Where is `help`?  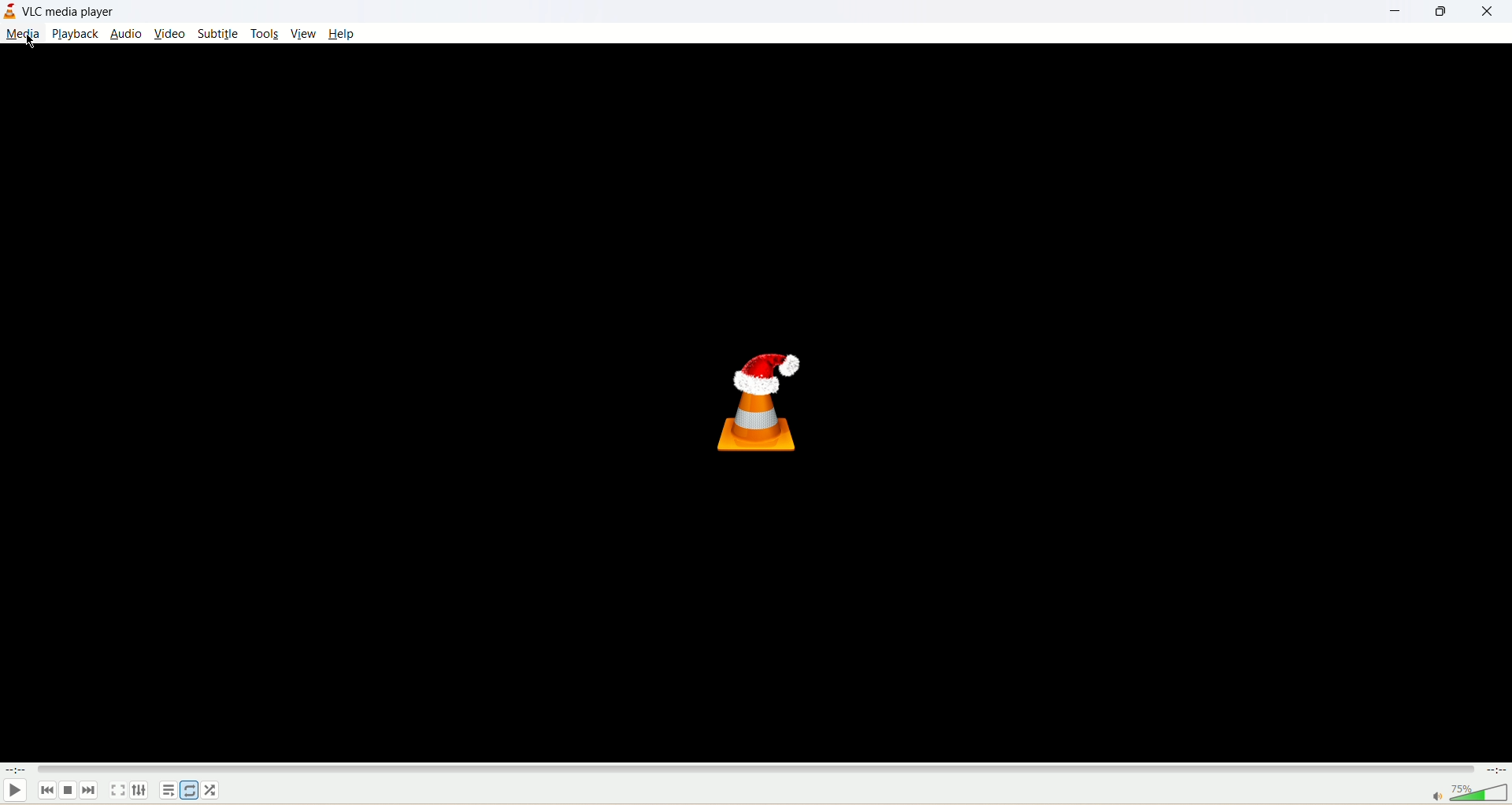
help is located at coordinates (343, 35).